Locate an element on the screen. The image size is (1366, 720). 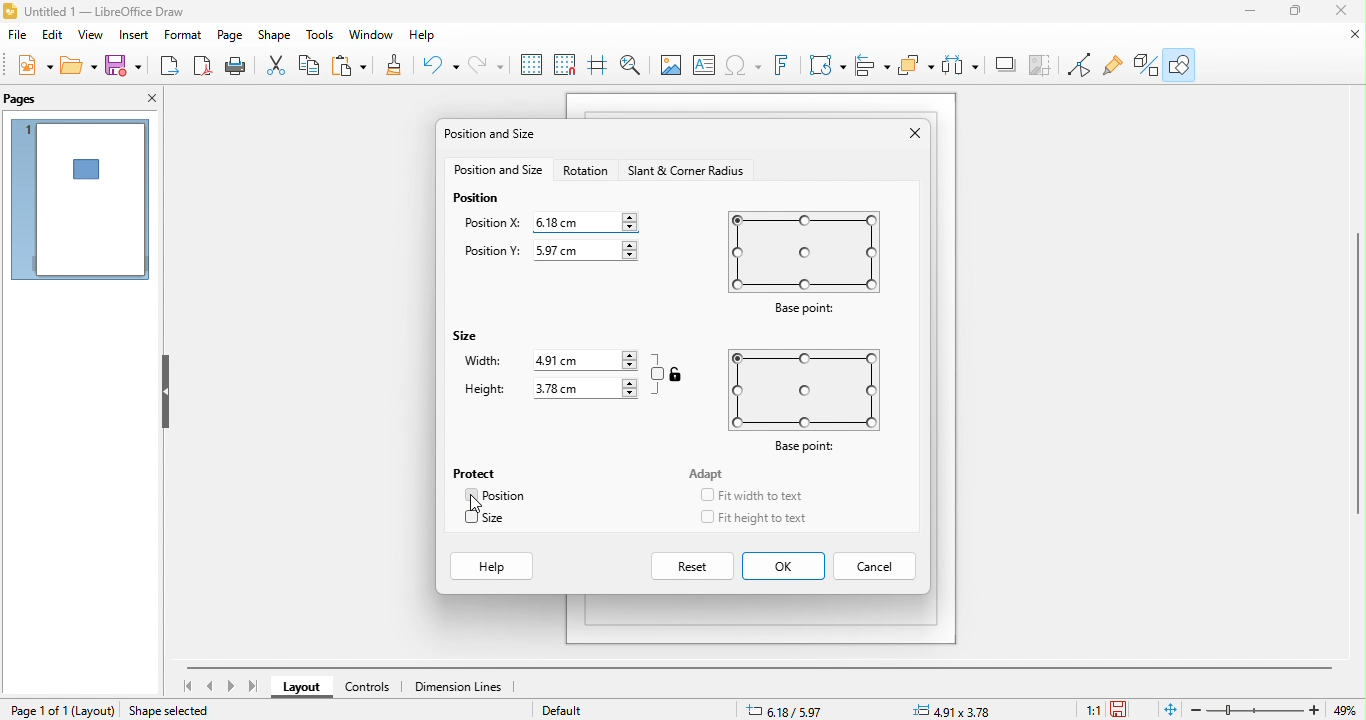
width is located at coordinates (482, 360).